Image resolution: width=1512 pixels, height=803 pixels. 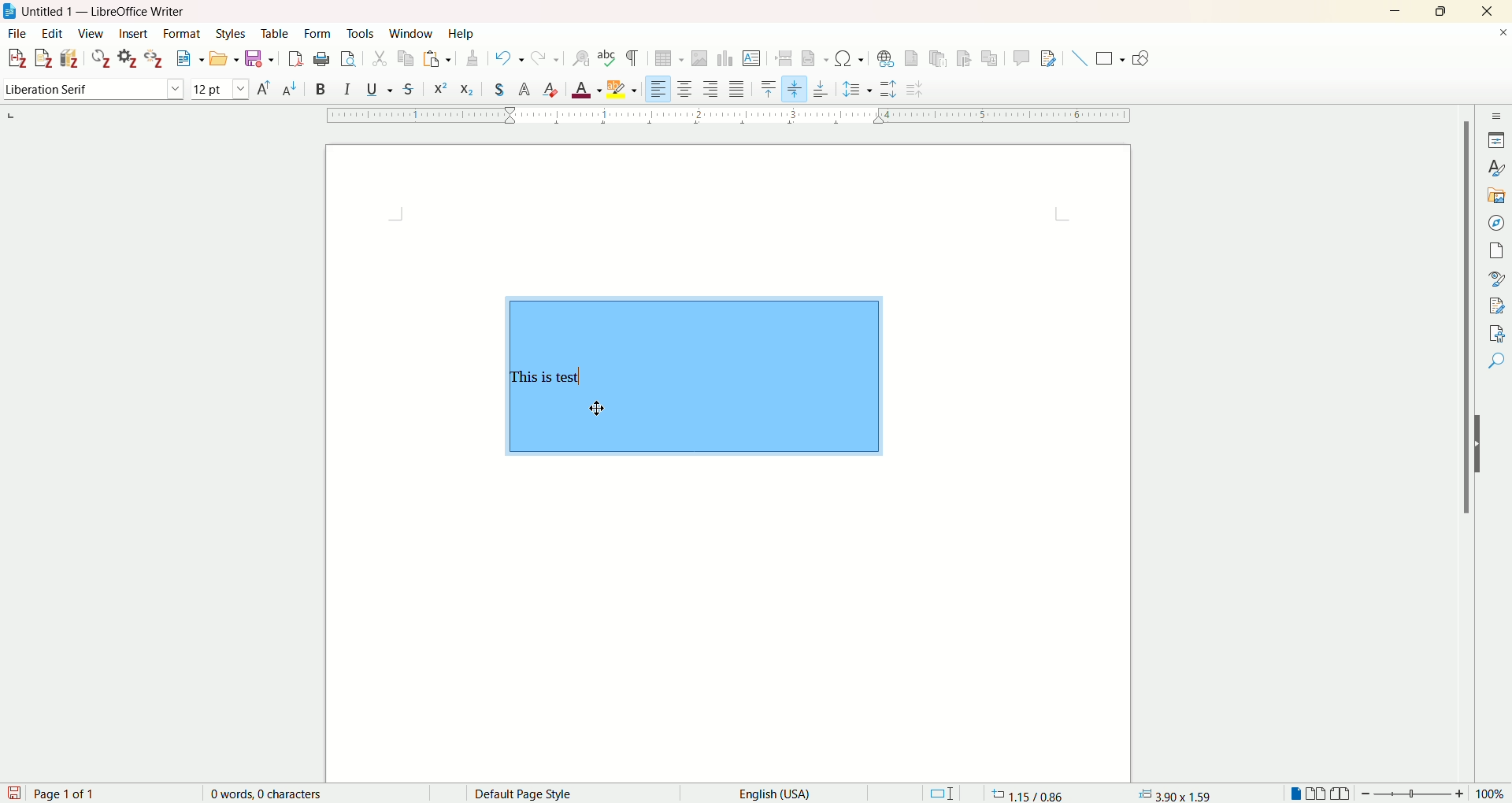 What do you see at coordinates (850, 59) in the screenshot?
I see `insert symbol` at bounding box center [850, 59].